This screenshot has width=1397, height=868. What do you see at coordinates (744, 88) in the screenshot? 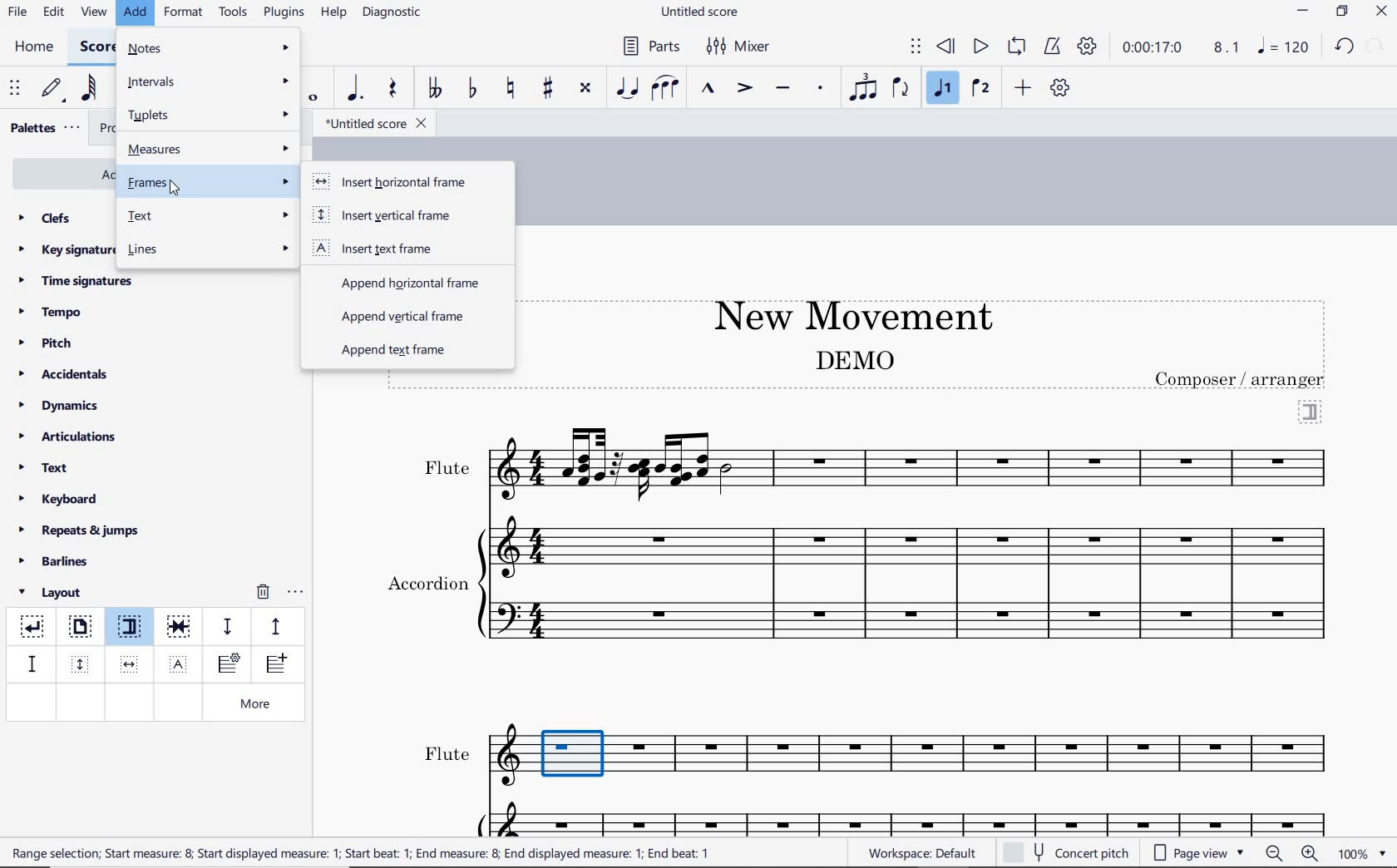
I see `accent` at bounding box center [744, 88].